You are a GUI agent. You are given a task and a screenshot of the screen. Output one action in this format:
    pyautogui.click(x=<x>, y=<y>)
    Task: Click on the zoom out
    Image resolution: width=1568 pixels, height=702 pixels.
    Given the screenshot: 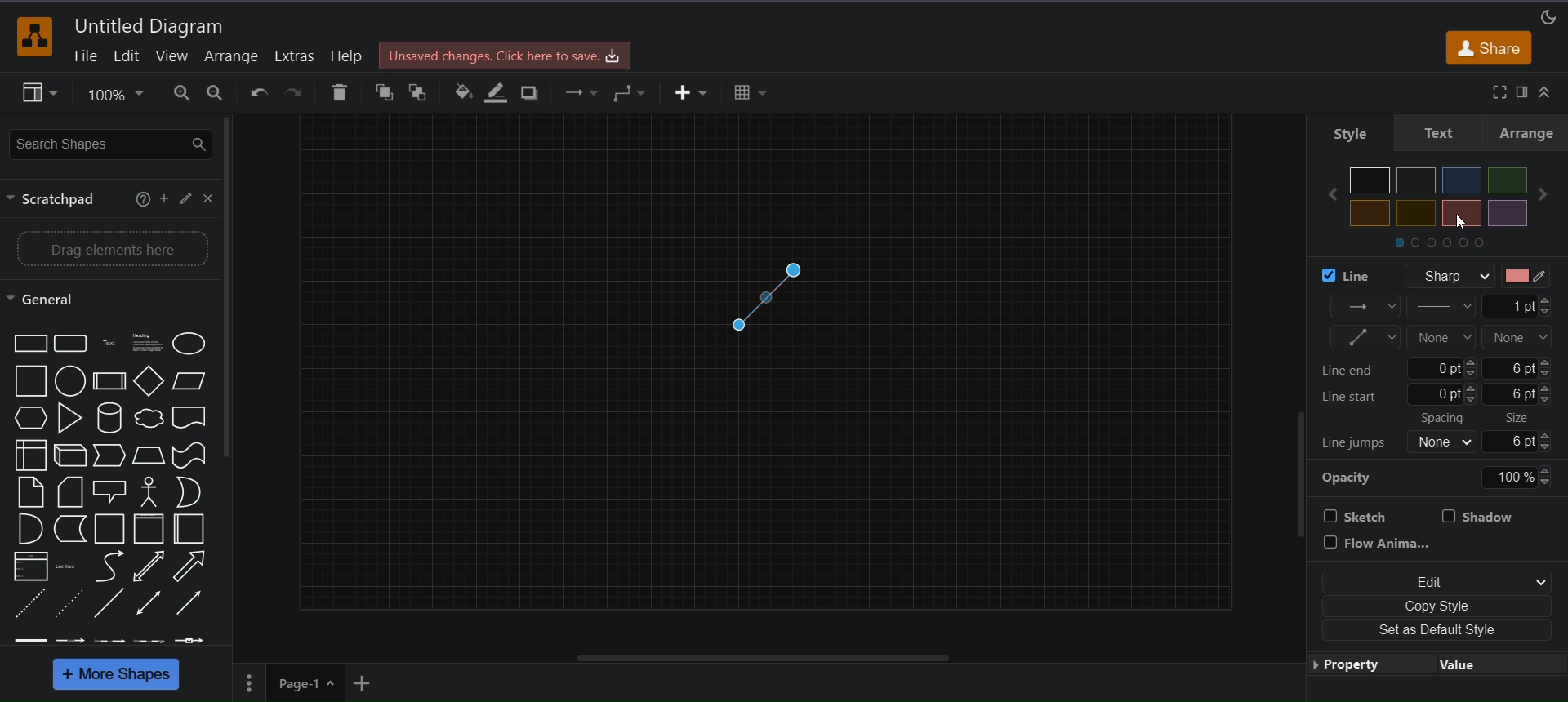 What is the action you would take?
    pyautogui.click(x=218, y=93)
    